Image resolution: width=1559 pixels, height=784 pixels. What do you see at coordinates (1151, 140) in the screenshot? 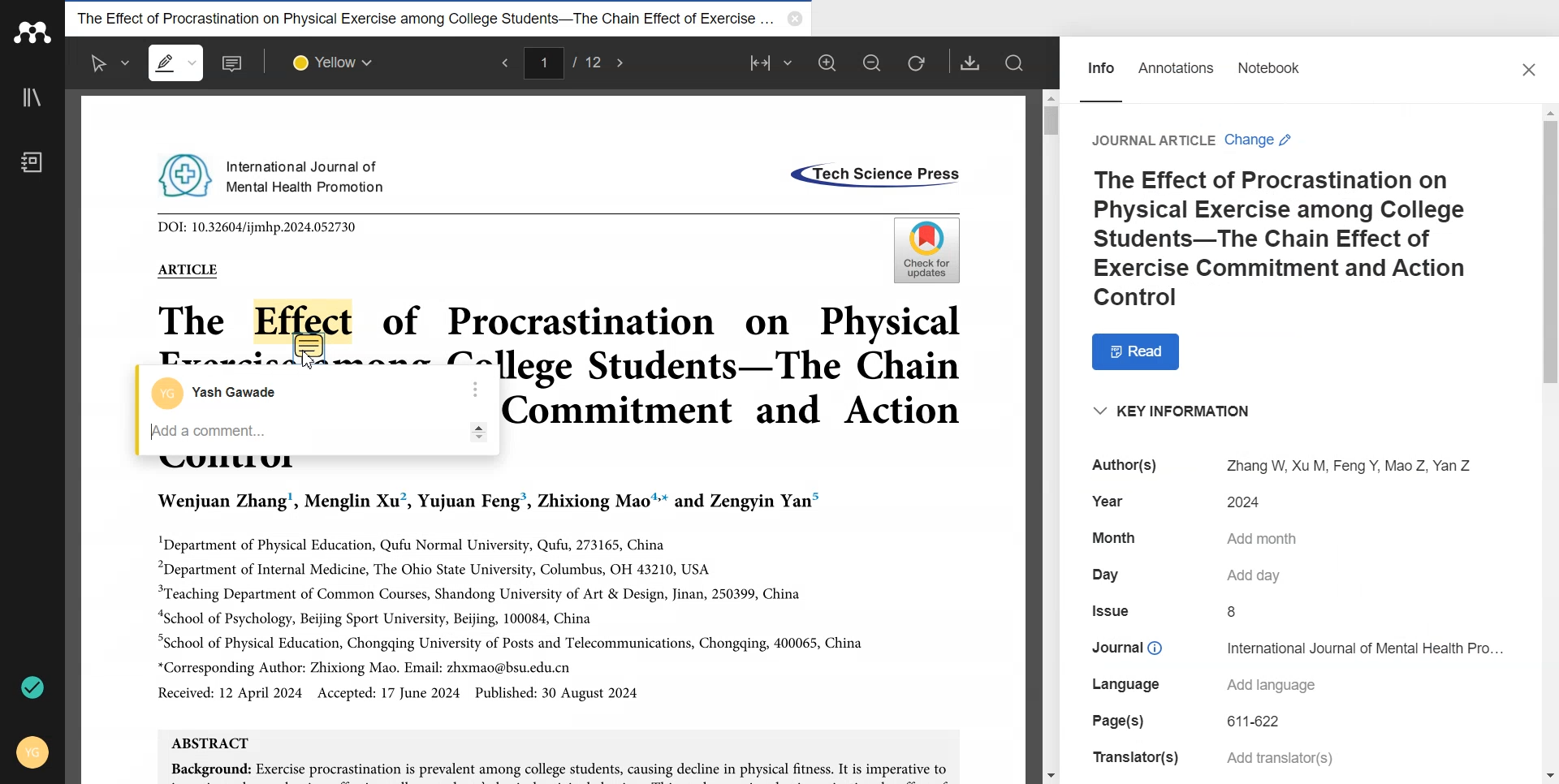
I see `Journal Article` at bounding box center [1151, 140].